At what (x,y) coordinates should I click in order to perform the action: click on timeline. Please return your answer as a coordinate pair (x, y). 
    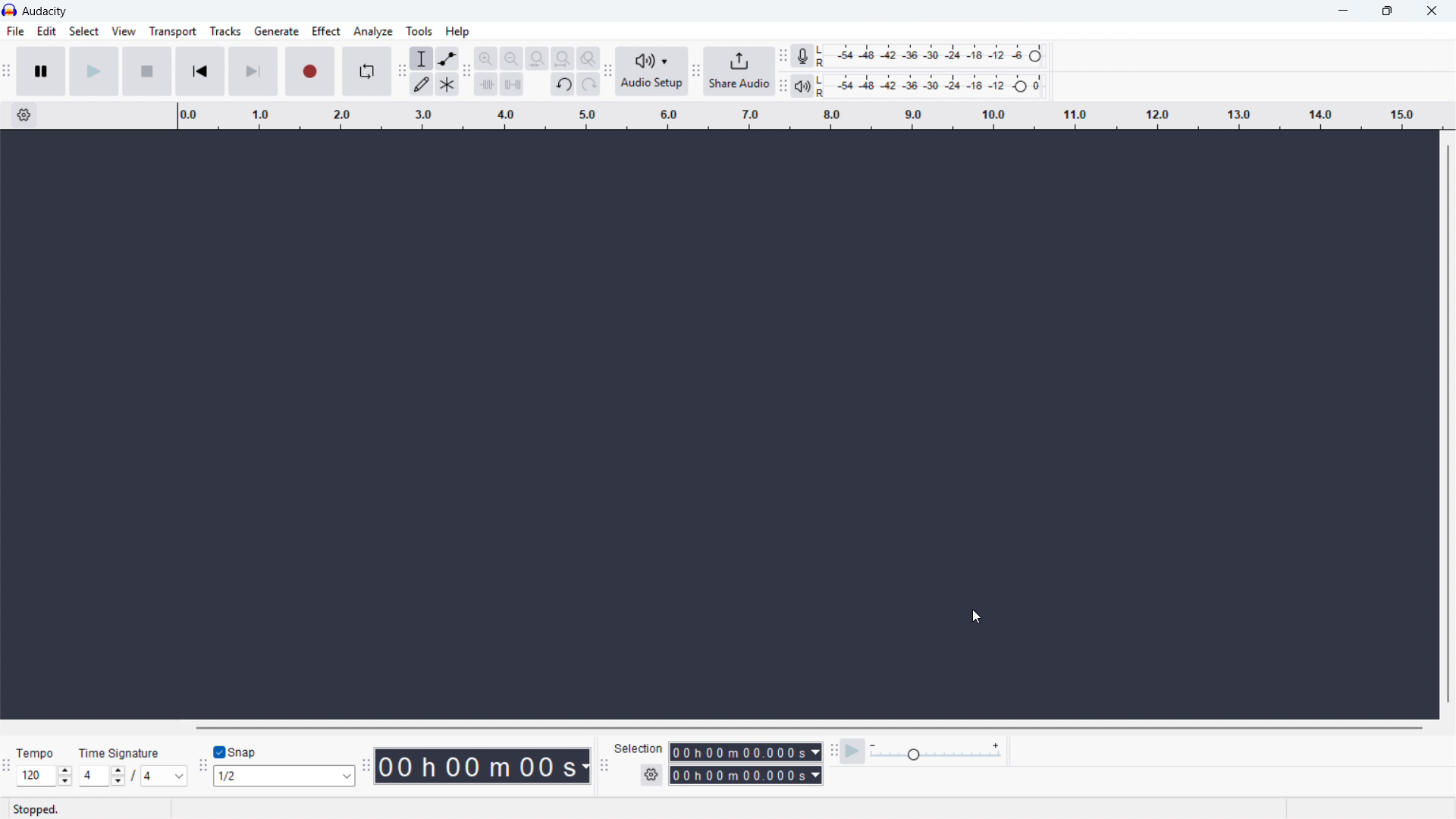
    Looking at the image, I should click on (808, 116).